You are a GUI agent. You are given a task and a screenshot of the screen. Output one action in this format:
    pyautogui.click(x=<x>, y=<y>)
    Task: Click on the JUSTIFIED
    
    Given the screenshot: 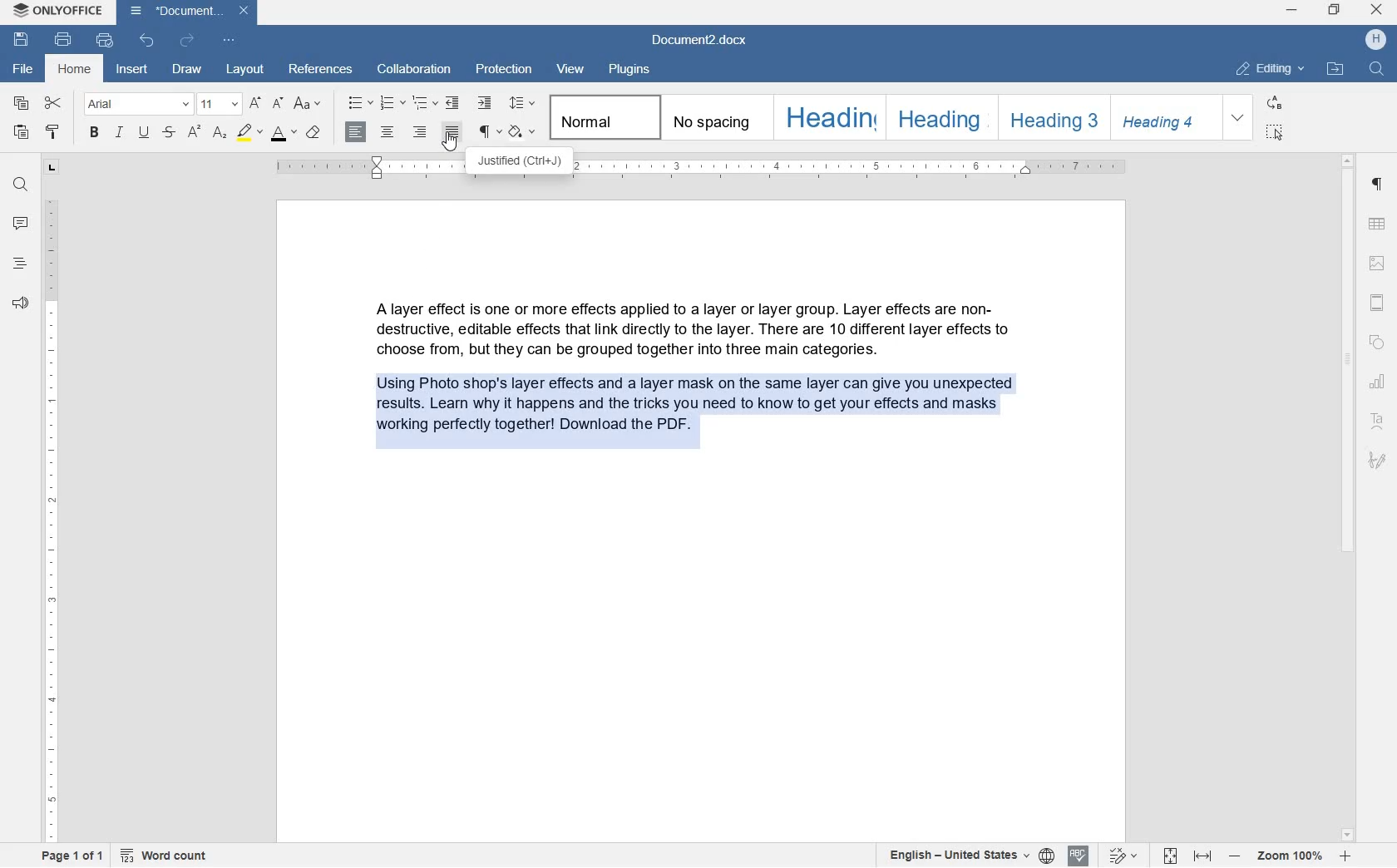 What is the action you would take?
    pyautogui.click(x=452, y=133)
    